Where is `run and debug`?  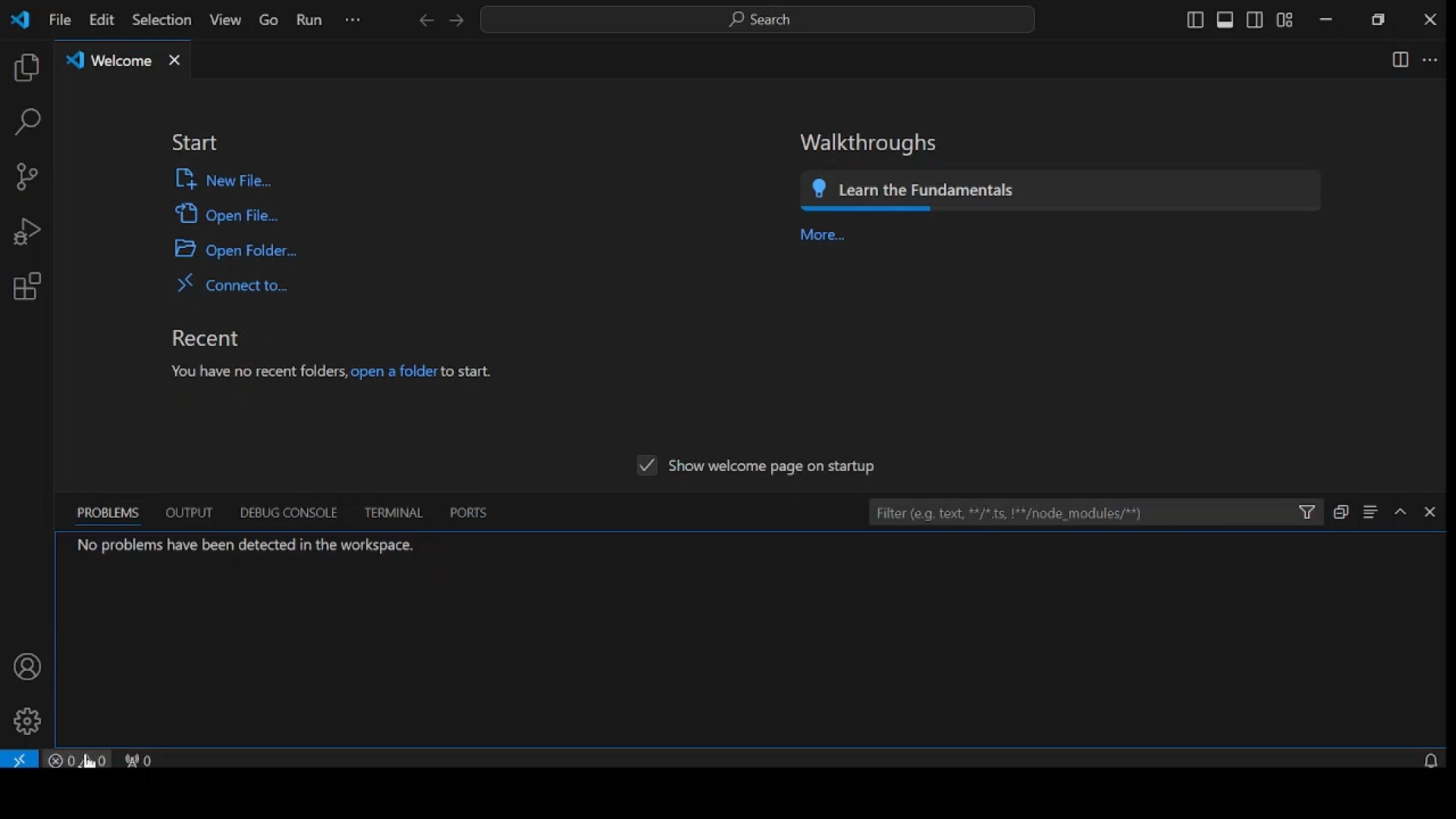 run and debug is located at coordinates (27, 233).